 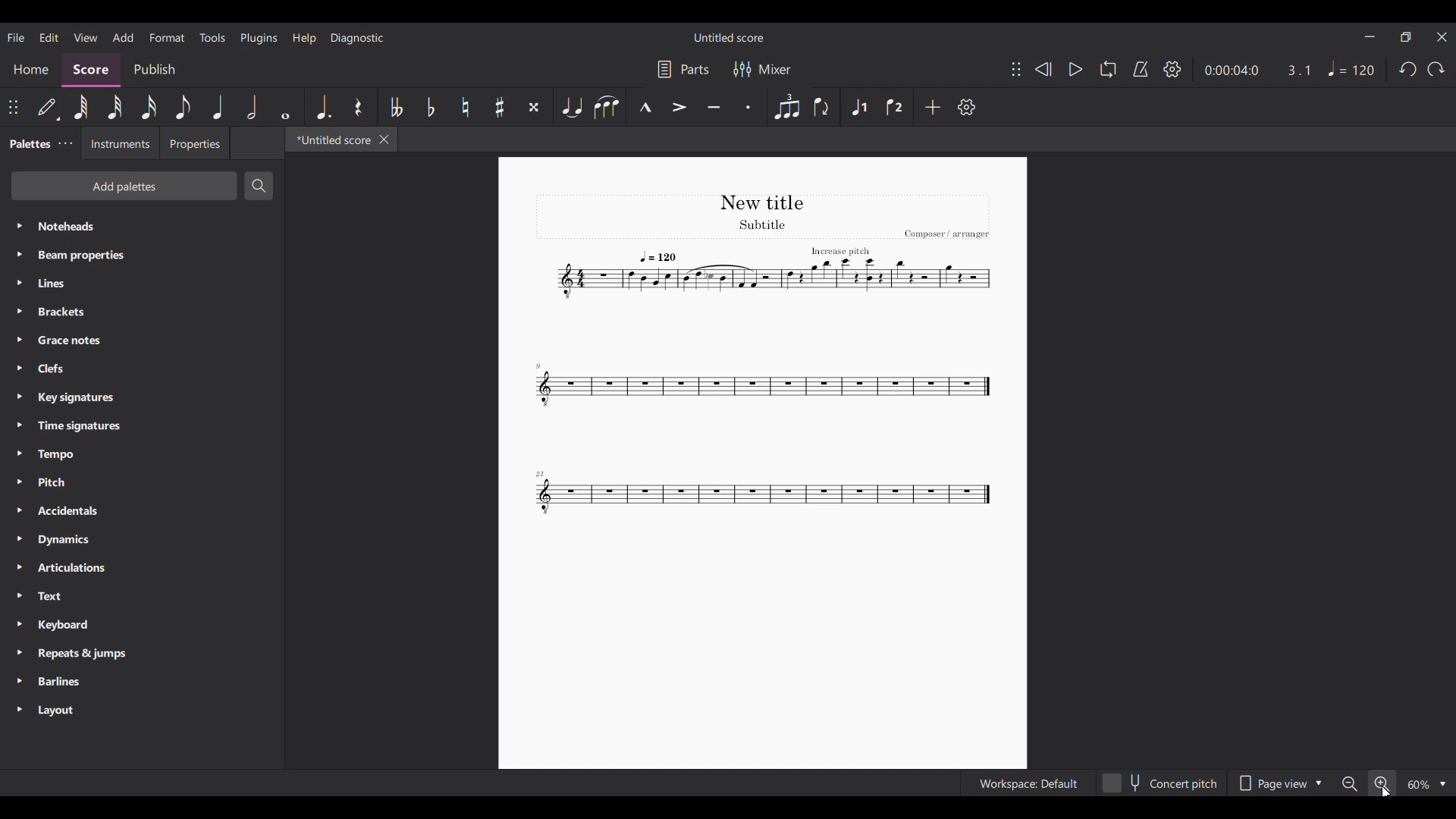 What do you see at coordinates (1161, 783) in the screenshot?
I see `Concert pitch toggle` at bounding box center [1161, 783].